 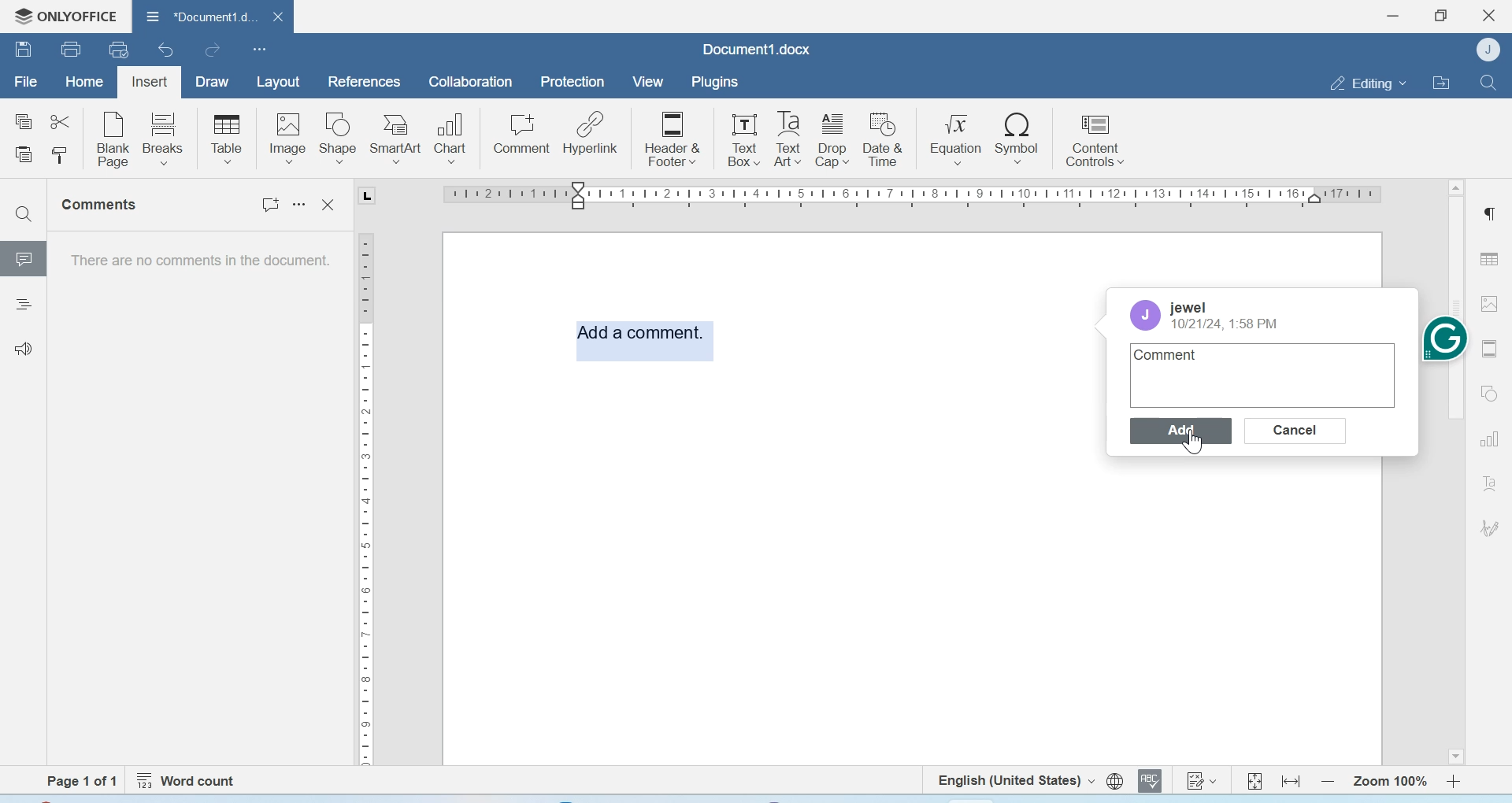 What do you see at coordinates (1487, 82) in the screenshot?
I see `Find` at bounding box center [1487, 82].